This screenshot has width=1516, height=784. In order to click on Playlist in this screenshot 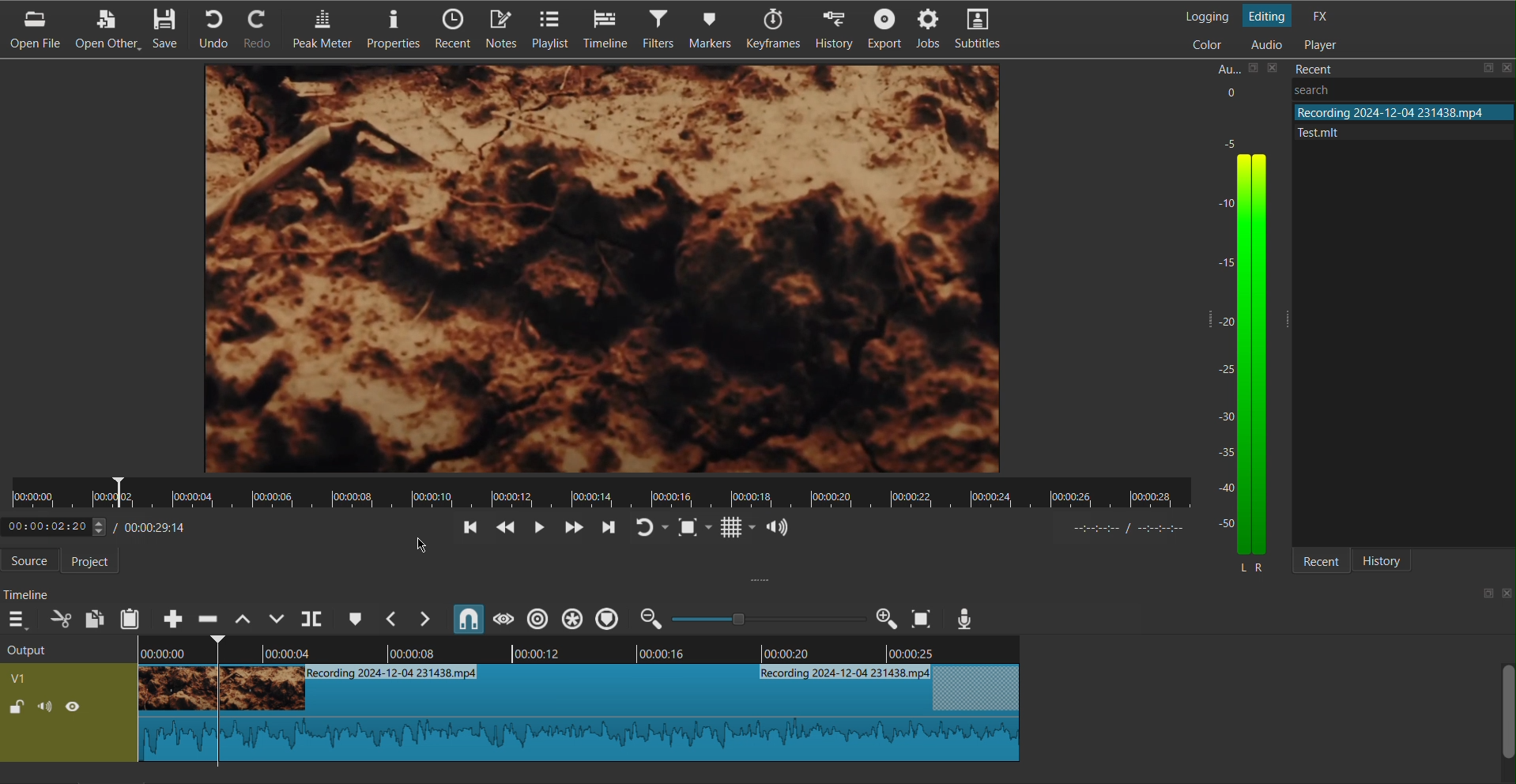, I will do `click(555, 28)`.